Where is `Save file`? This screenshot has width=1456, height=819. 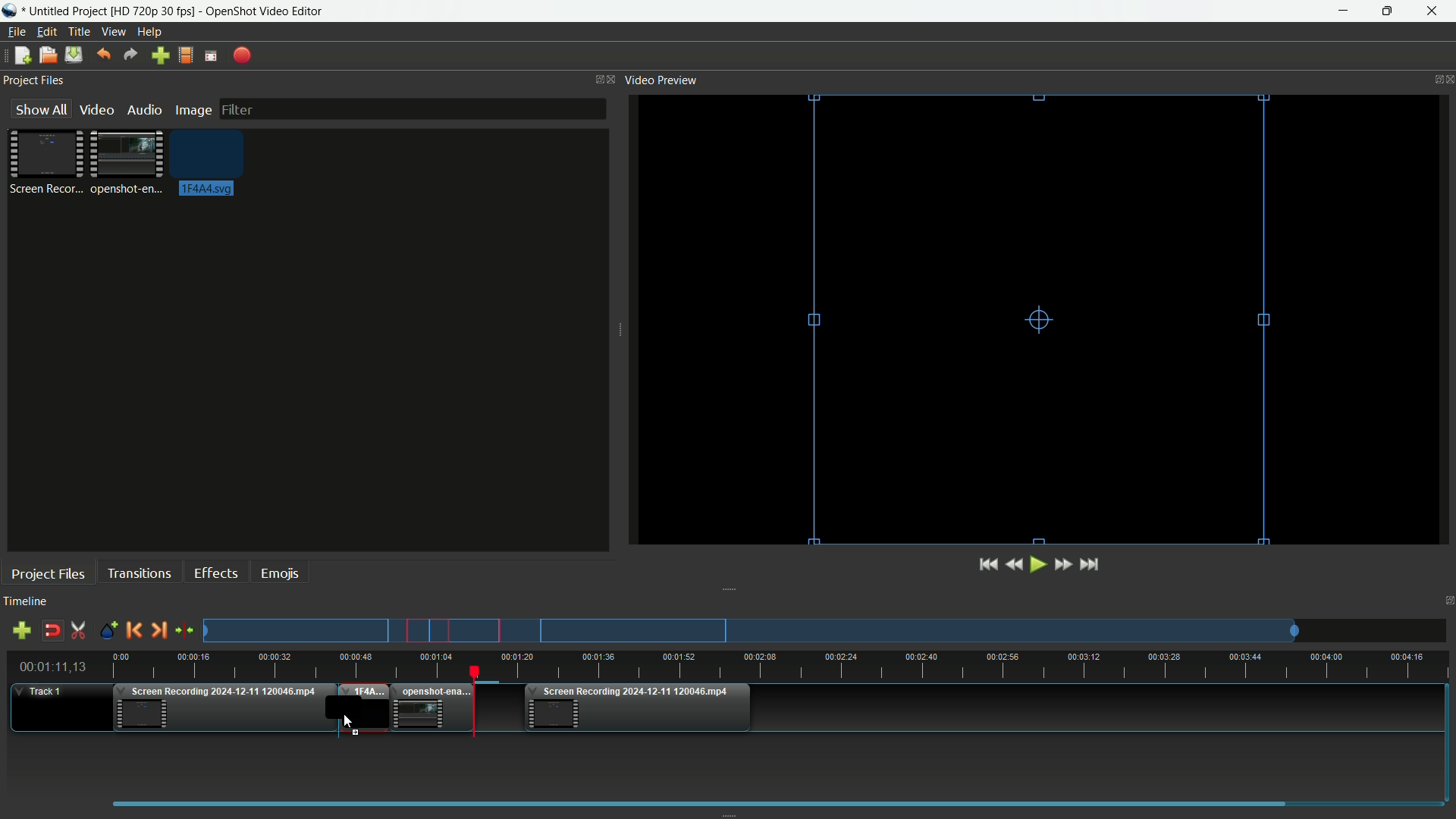 Save file is located at coordinates (74, 56).